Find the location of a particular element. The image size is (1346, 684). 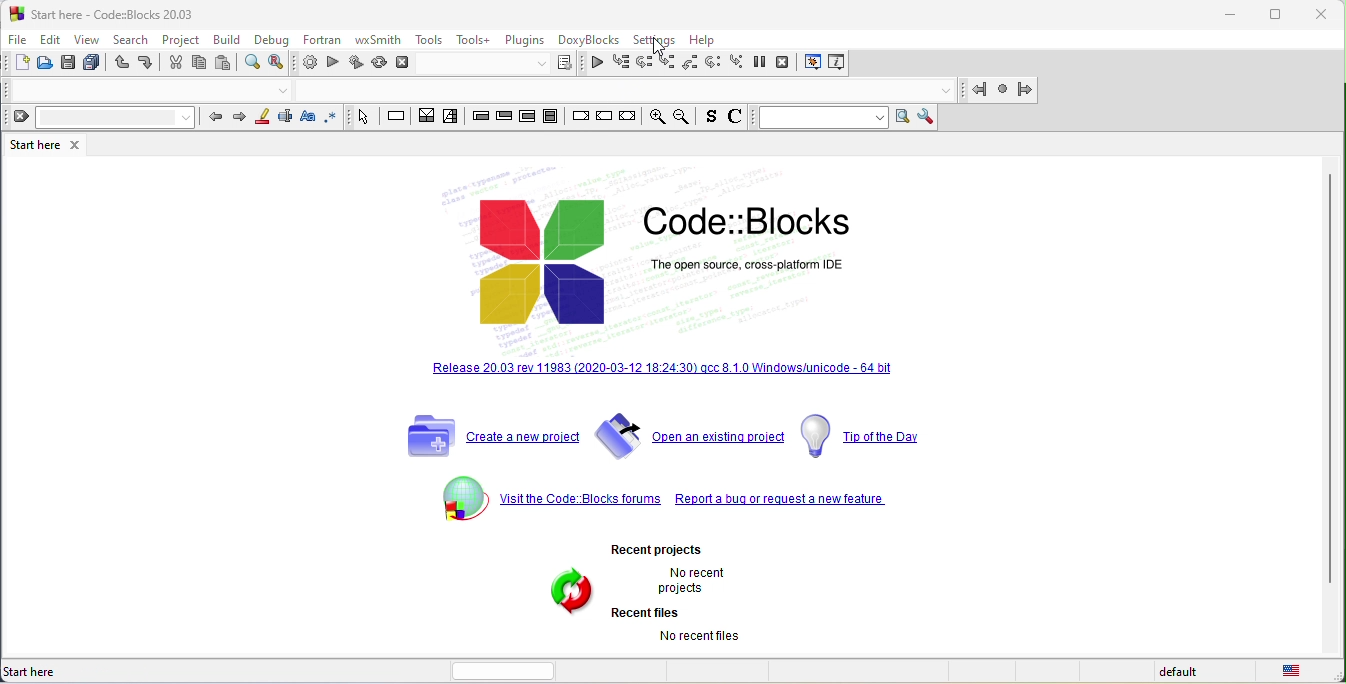

build is located at coordinates (232, 40).